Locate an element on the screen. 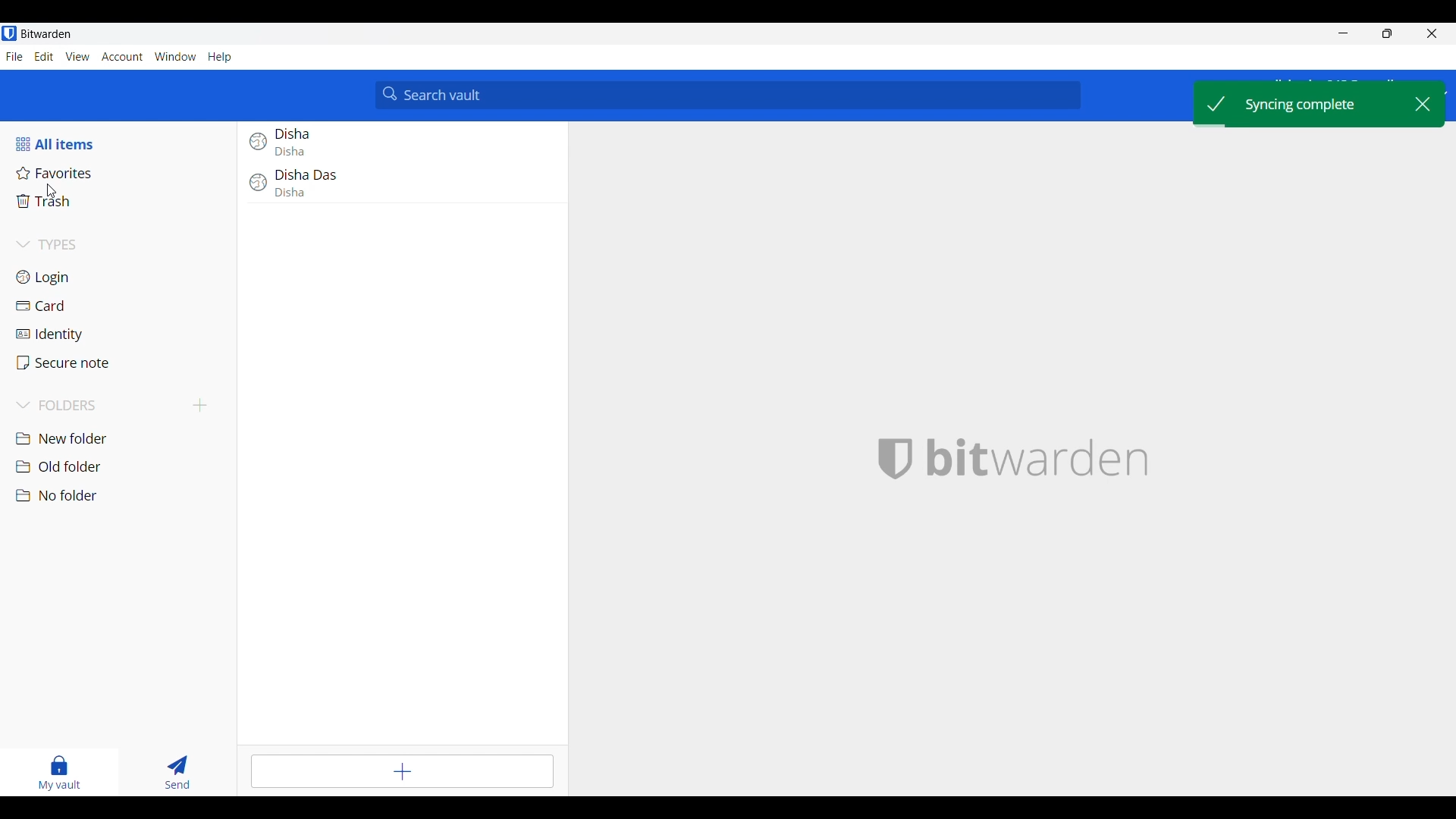 Image resolution: width=1456 pixels, height=819 pixels. Add new folder is located at coordinates (201, 405).